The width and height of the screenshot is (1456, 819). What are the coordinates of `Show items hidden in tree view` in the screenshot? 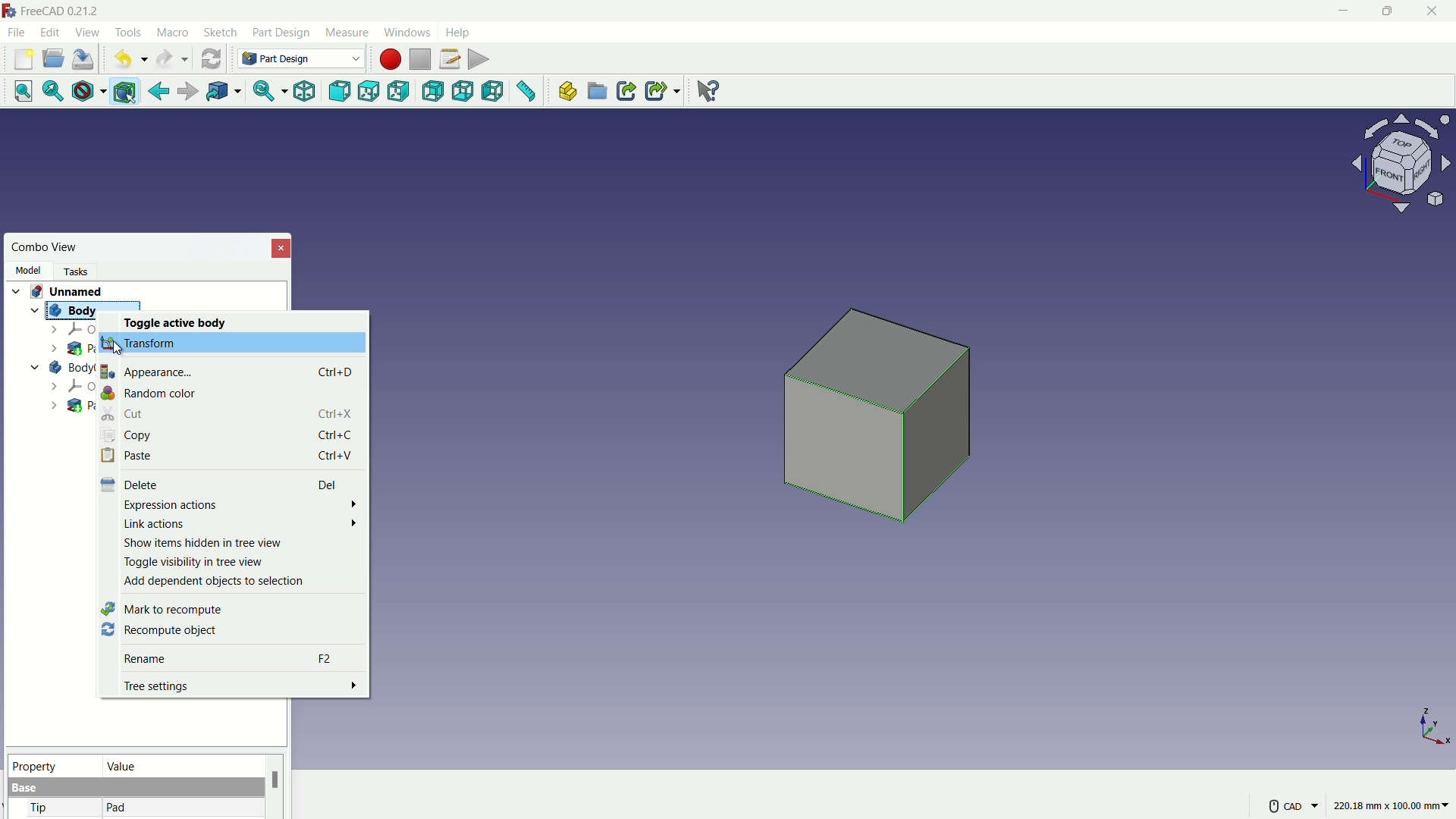 It's located at (202, 544).